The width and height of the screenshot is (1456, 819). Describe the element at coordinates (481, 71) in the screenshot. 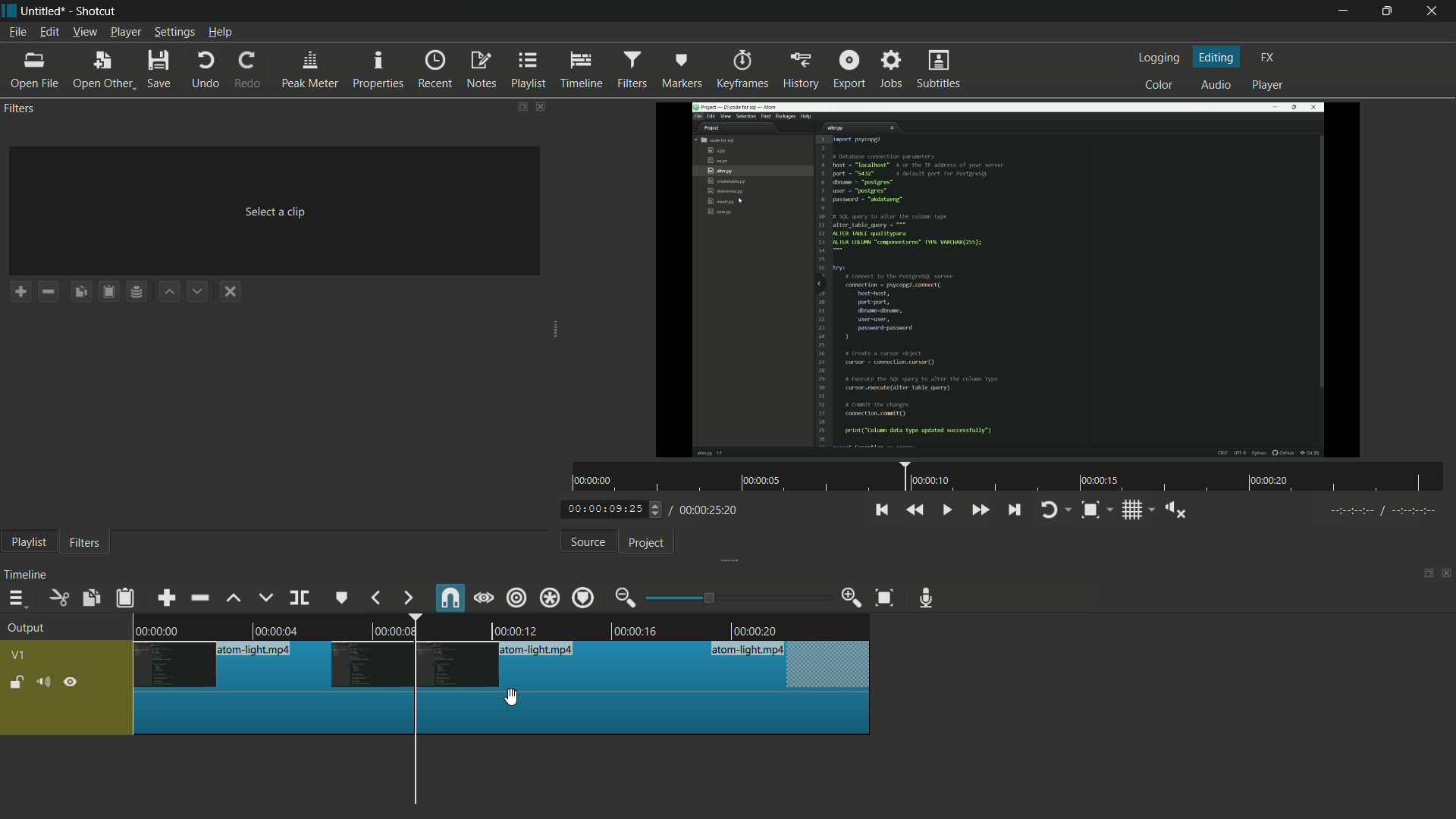

I see `notes` at that location.